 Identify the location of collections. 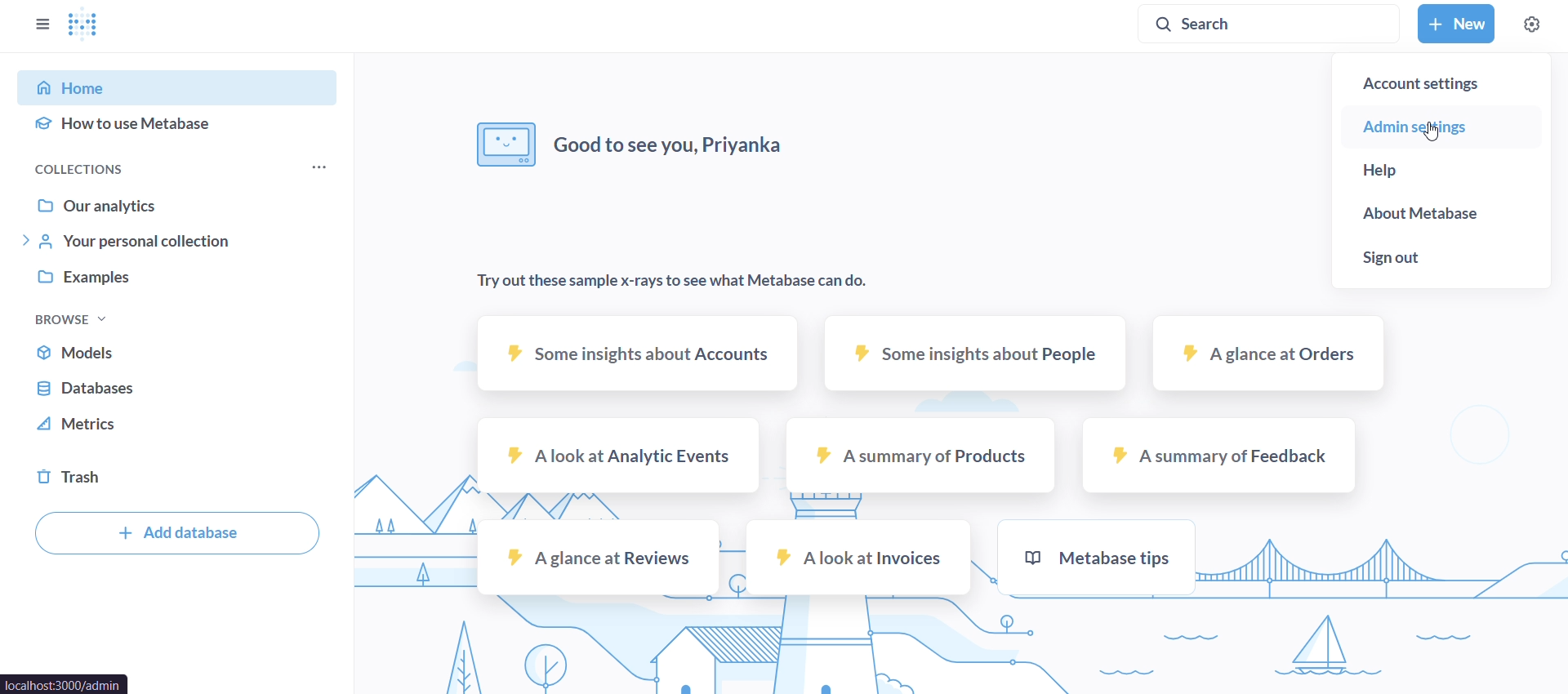
(118, 167).